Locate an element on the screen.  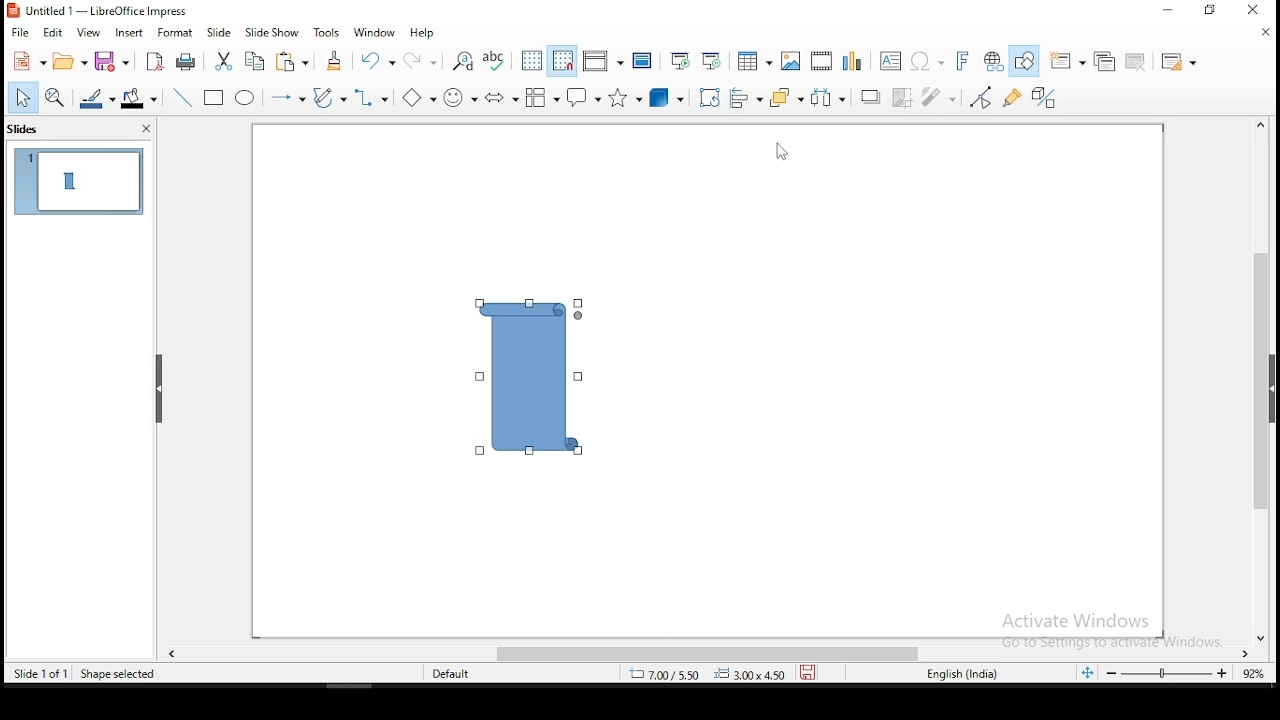
stars and banners is located at coordinates (623, 97).